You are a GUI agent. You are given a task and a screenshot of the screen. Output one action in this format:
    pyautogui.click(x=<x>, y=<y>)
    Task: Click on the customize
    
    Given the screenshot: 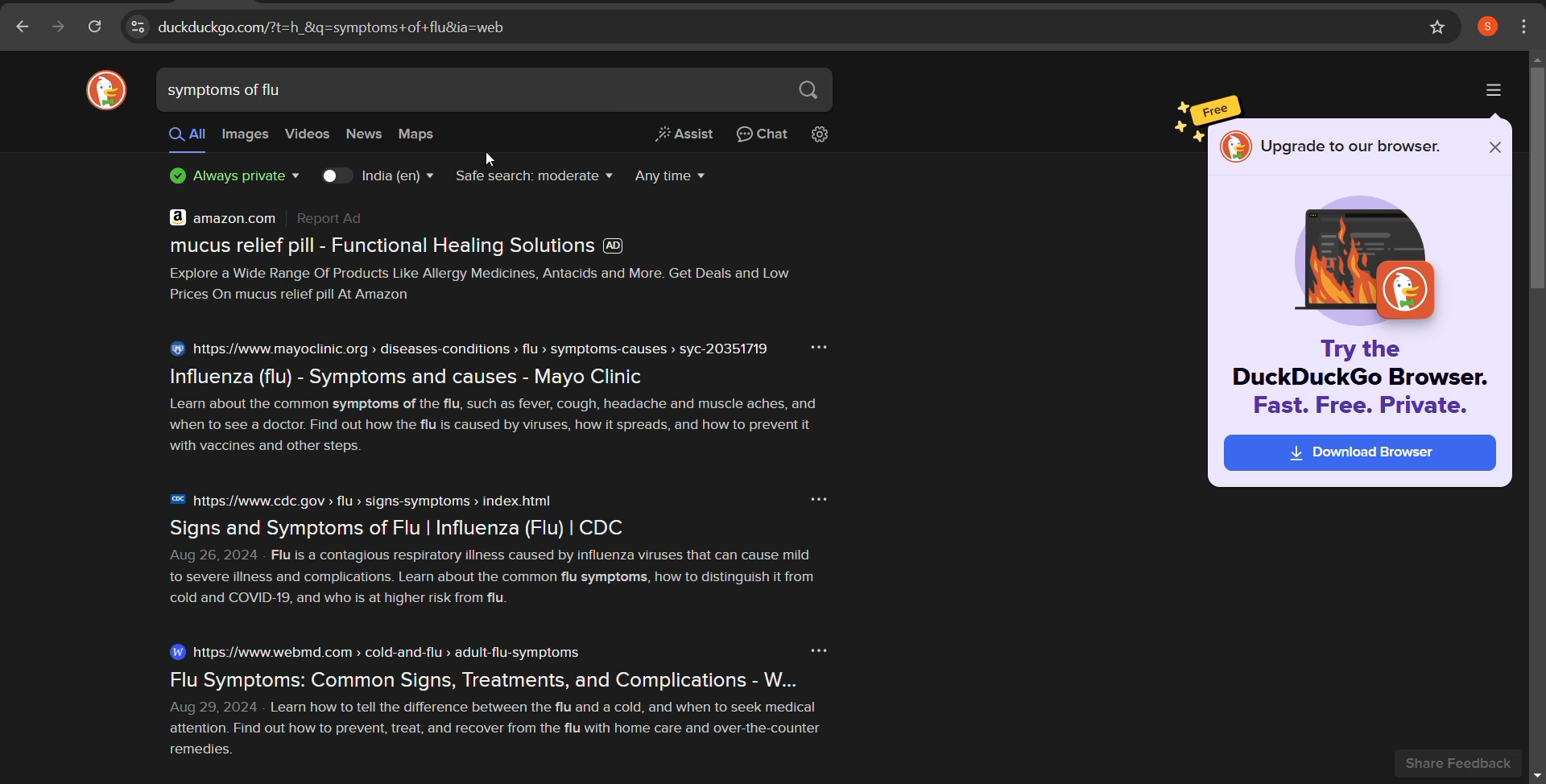 What is the action you would take?
    pyautogui.click(x=1526, y=25)
    